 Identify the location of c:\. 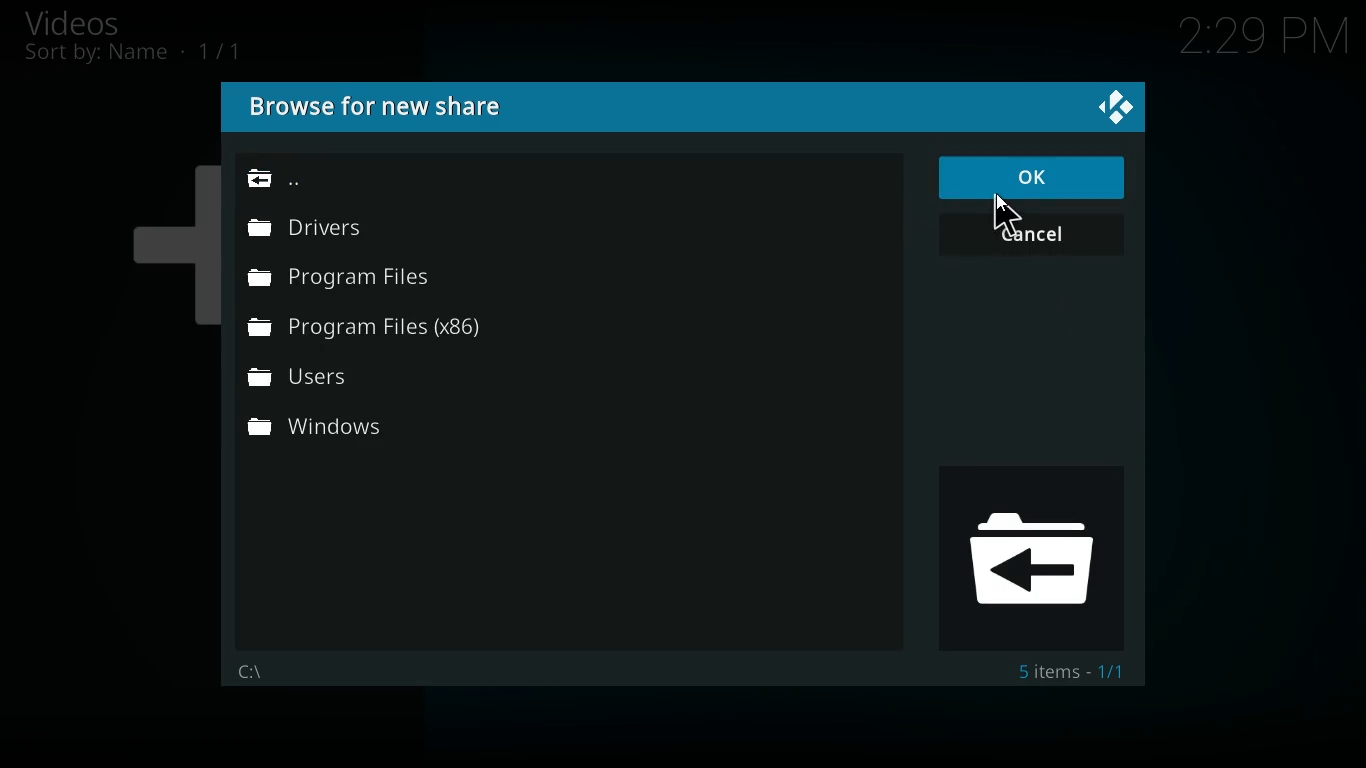
(254, 668).